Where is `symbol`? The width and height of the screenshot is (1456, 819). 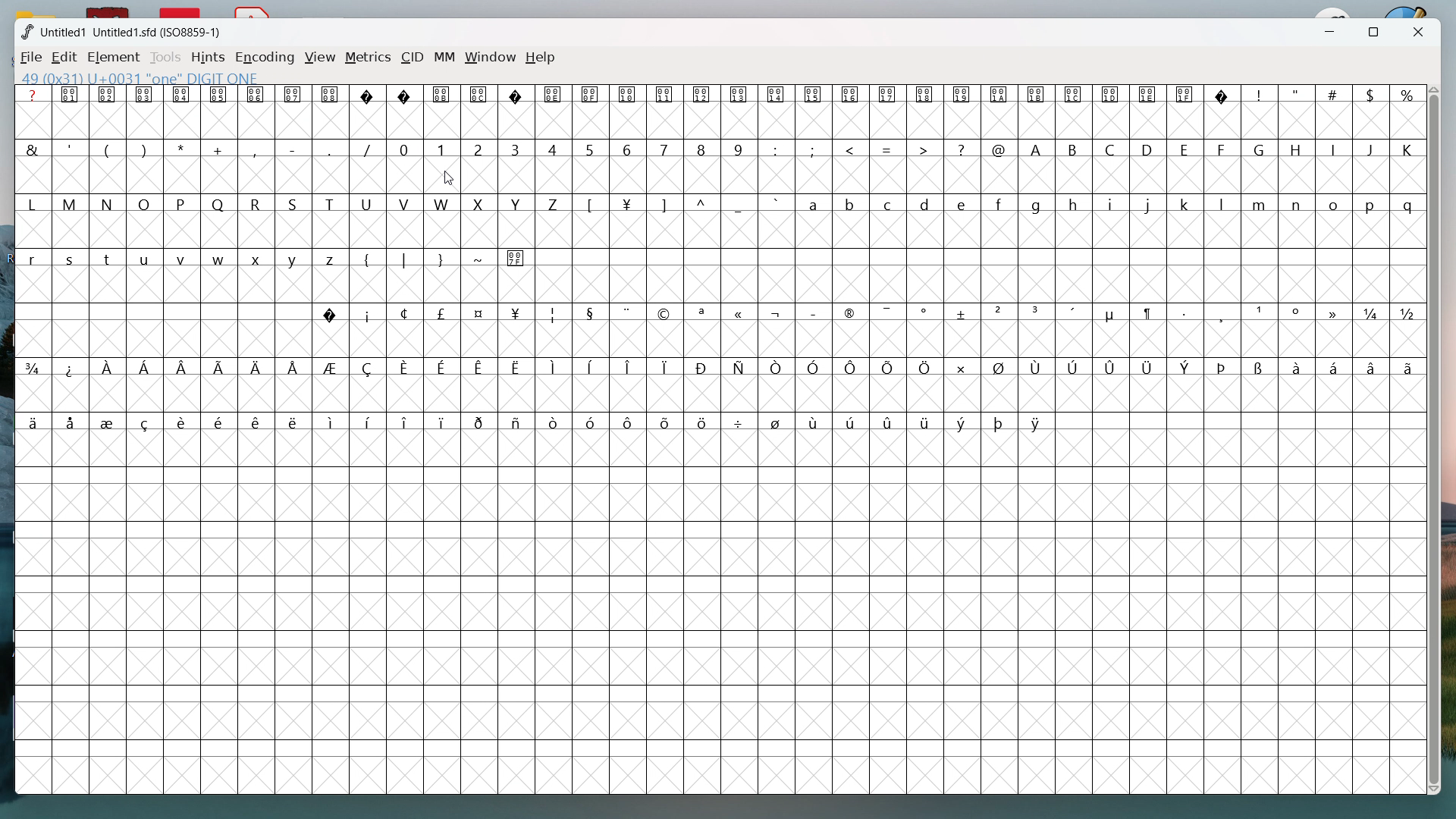
symbol is located at coordinates (481, 366).